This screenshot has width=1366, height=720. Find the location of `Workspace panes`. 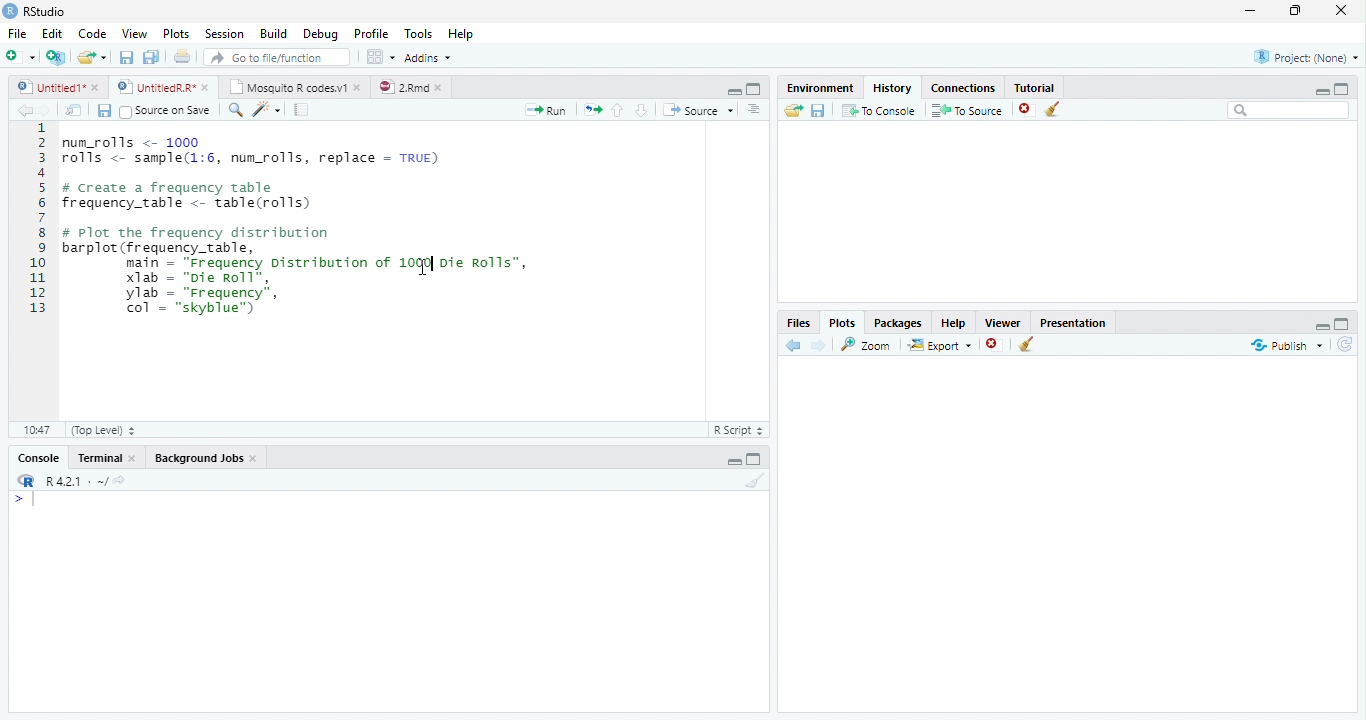

Workspace panes is located at coordinates (379, 57).